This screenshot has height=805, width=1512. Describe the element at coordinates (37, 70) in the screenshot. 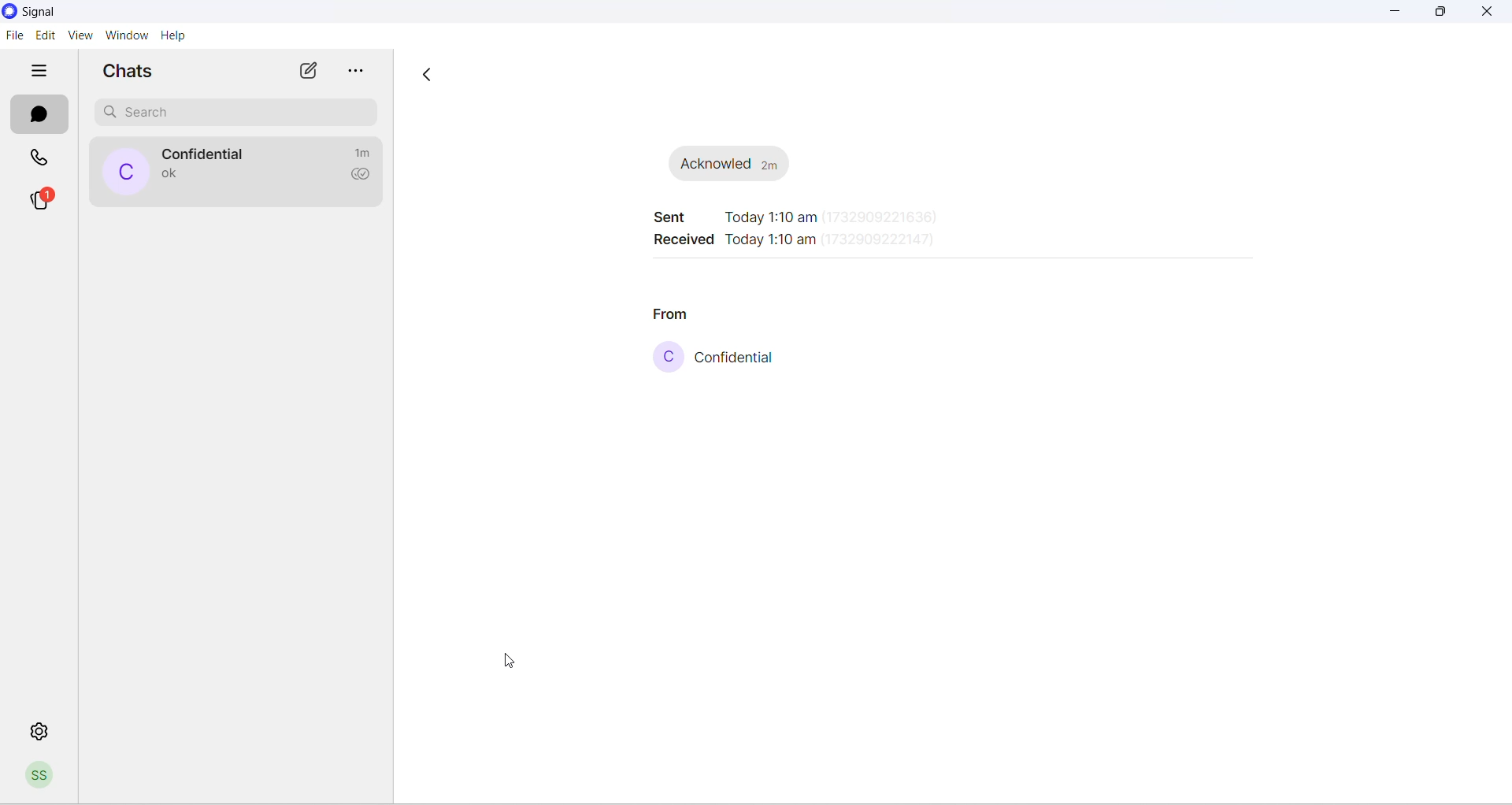

I see `hide` at that location.